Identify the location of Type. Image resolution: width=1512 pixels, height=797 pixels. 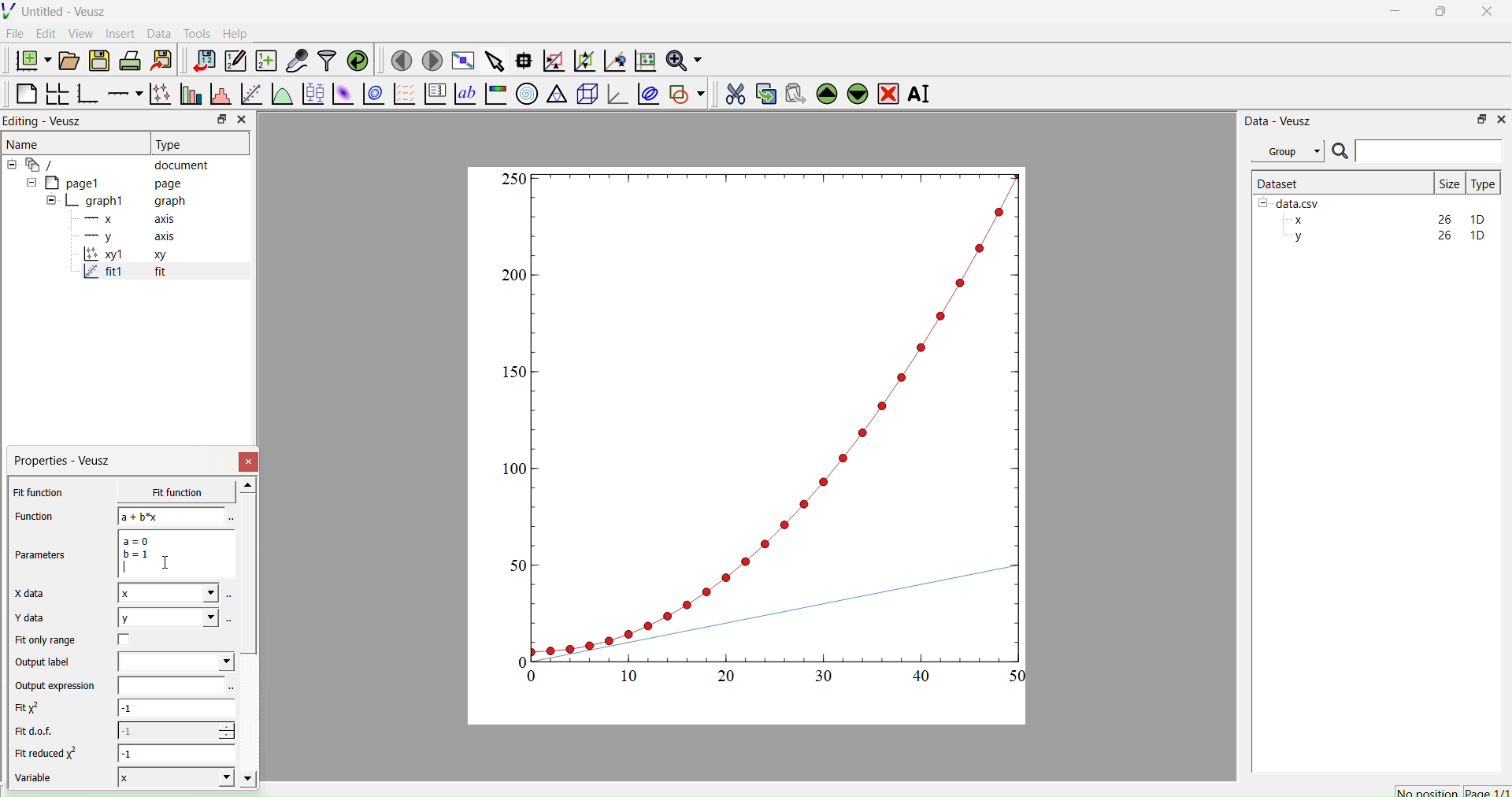
(171, 144).